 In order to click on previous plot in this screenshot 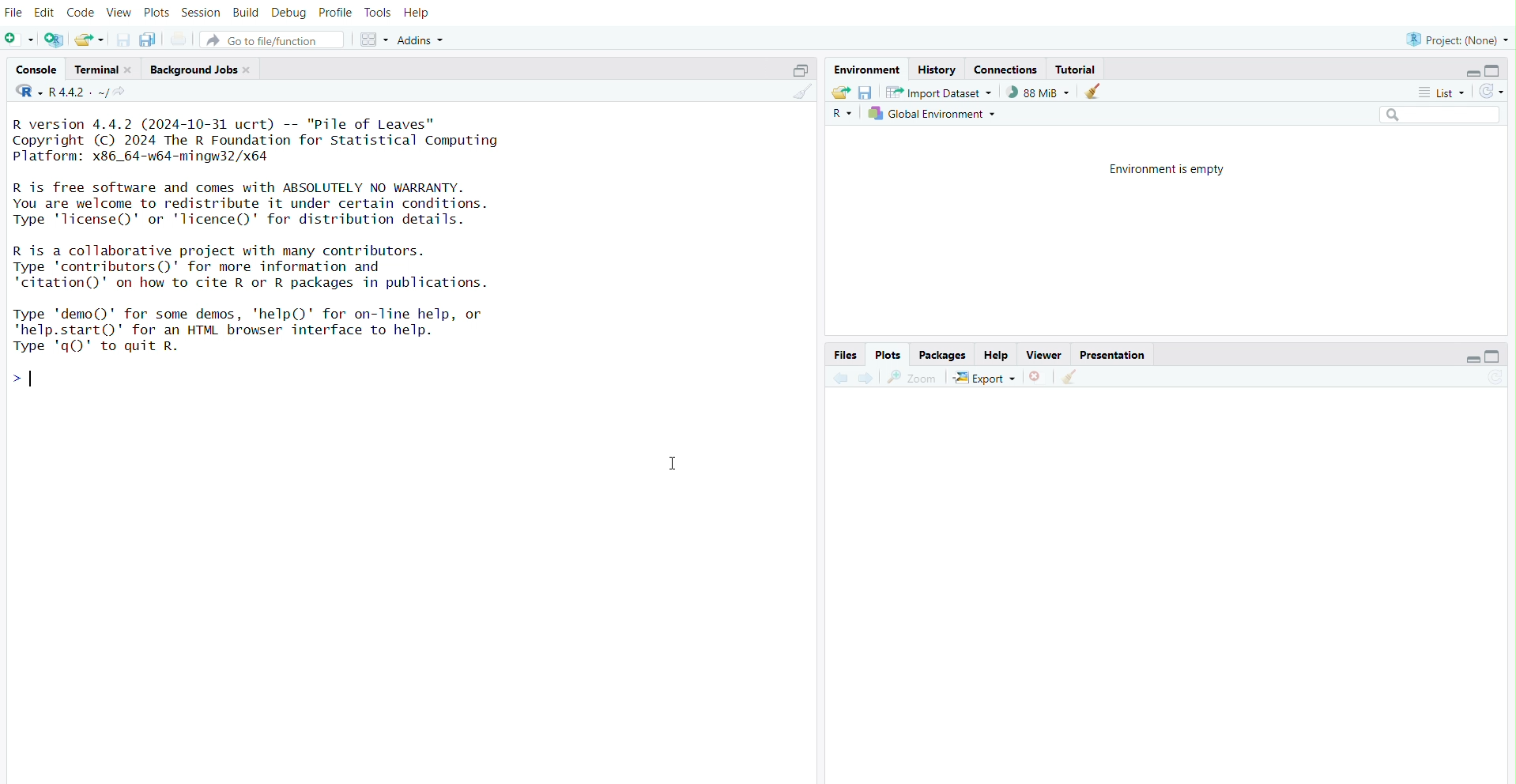, I will do `click(835, 379)`.